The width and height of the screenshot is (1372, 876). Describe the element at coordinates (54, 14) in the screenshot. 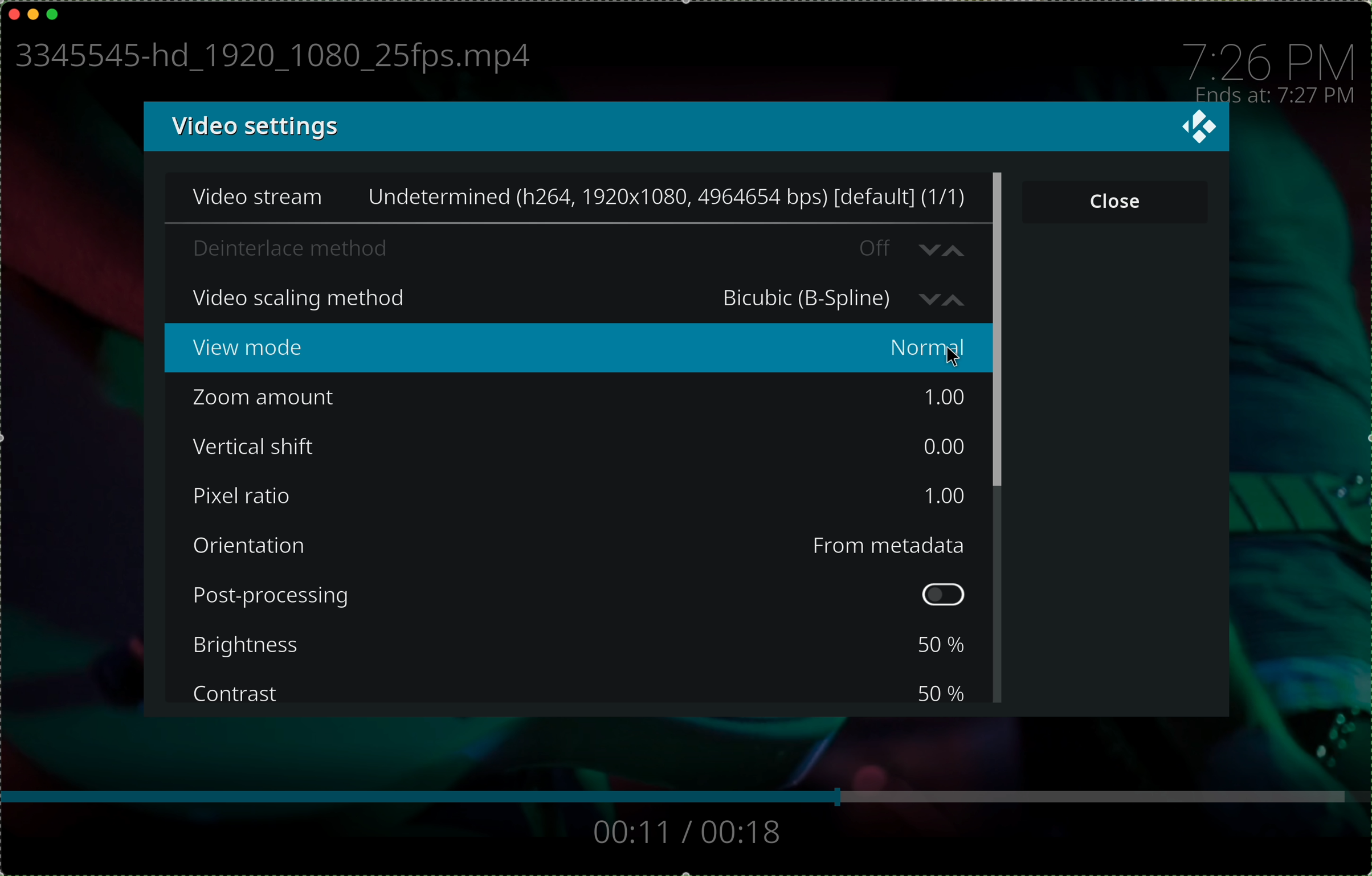

I see `maximise` at that location.